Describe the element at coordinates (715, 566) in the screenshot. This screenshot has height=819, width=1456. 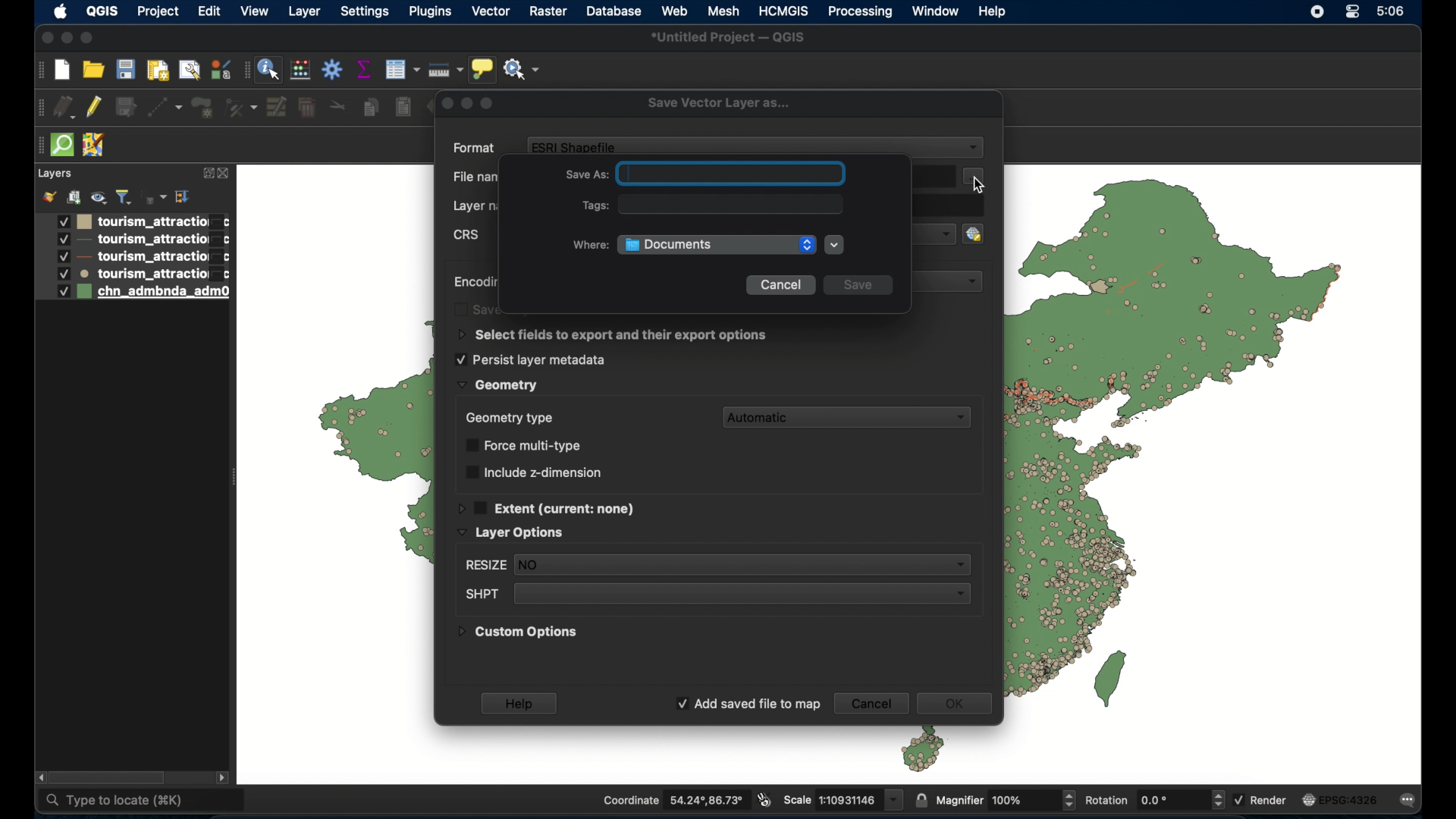
I see `resize dropdown` at that location.